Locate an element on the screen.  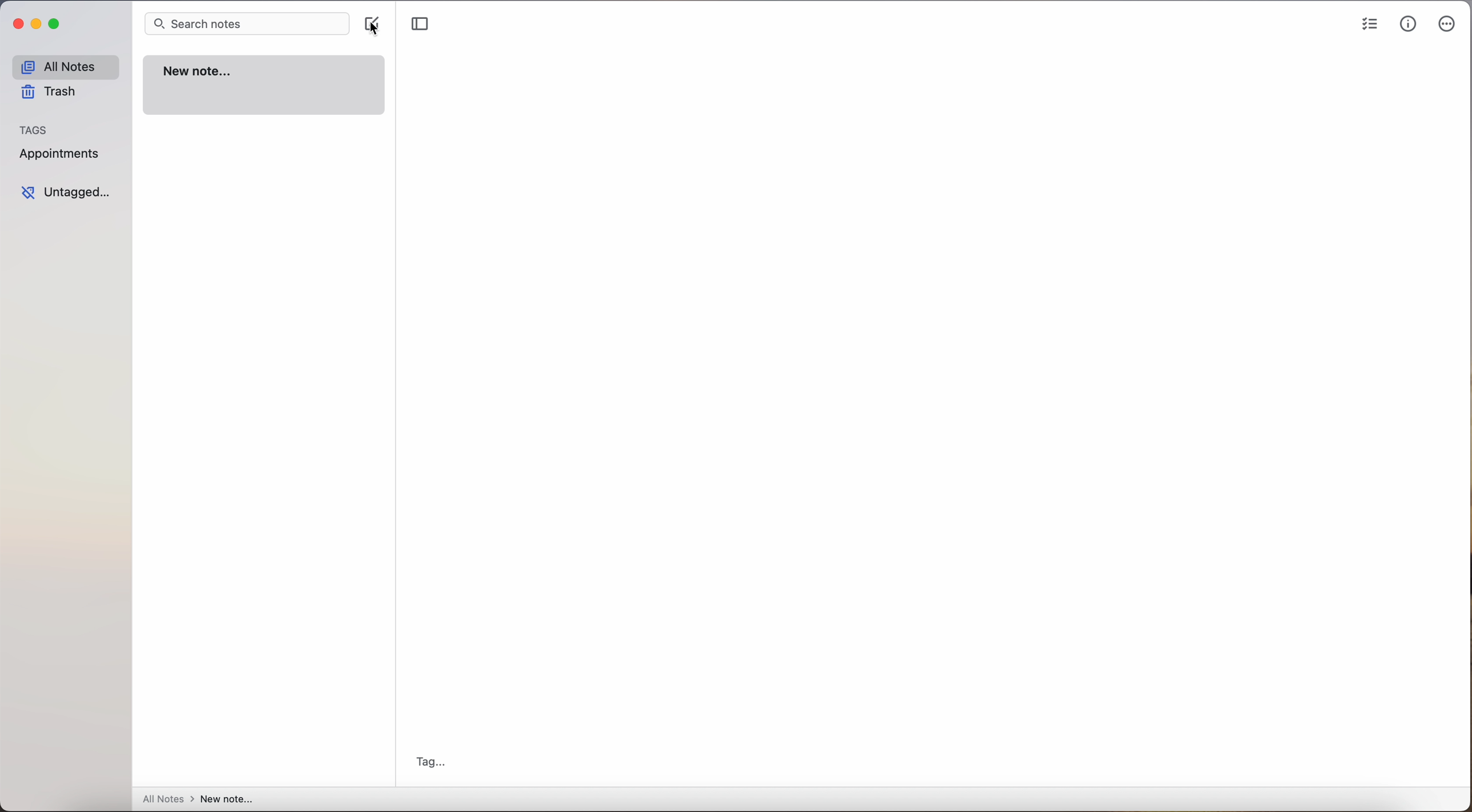
toggle sidebar is located at coordinates (421, 25).